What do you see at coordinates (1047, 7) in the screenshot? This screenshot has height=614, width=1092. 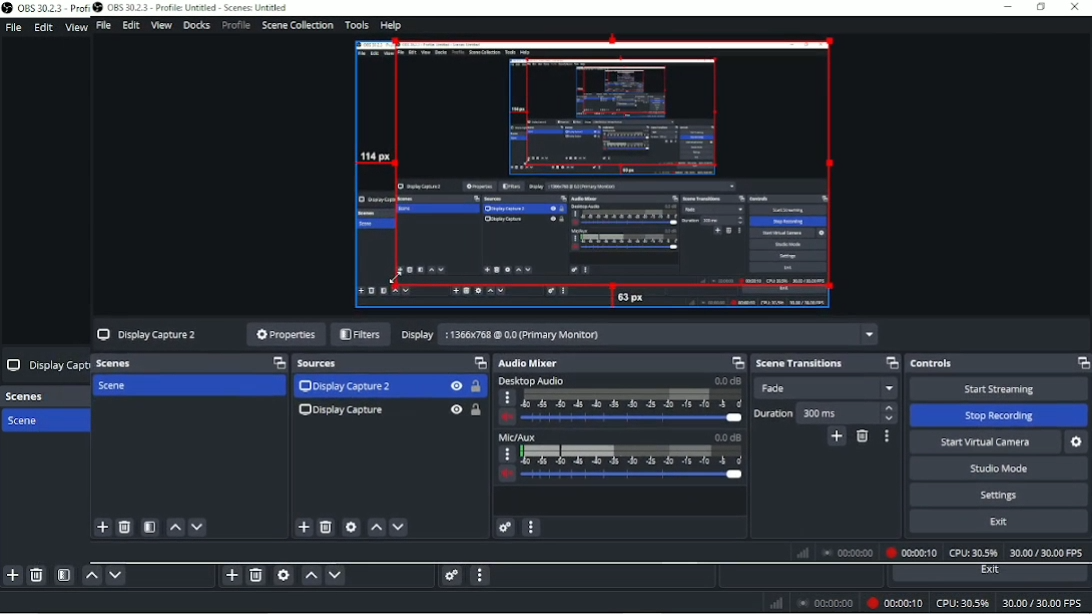 I see `maximize` at bounding box center [1047, 7].